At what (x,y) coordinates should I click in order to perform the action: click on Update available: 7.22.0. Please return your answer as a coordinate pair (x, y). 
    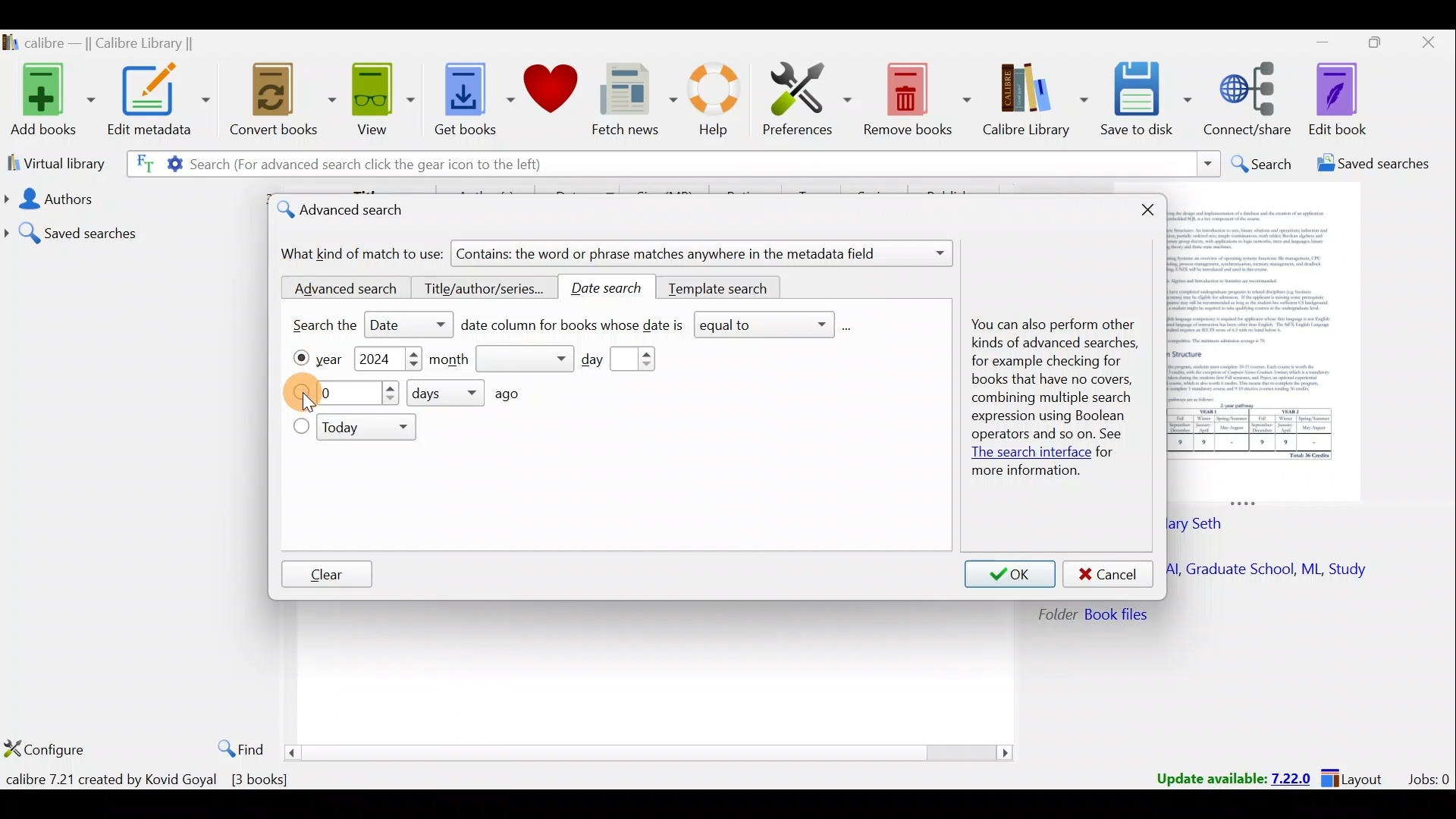
    Looking at the image, I should click on (1225, 777).